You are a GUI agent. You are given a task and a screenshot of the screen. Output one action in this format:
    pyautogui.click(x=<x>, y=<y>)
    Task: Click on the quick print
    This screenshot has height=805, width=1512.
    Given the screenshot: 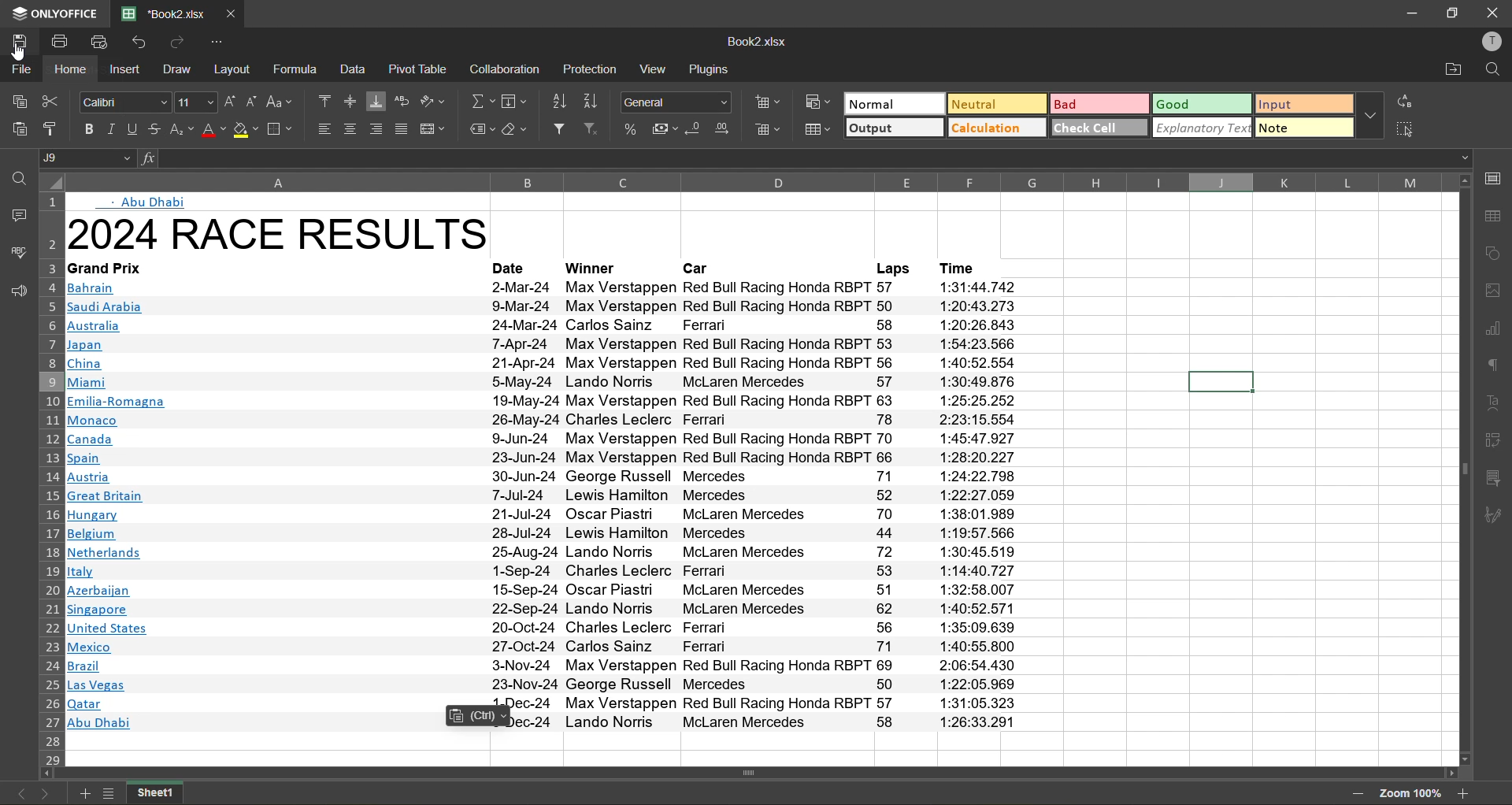 What is the action you would take?
    pyautogui.click(x=101, y=42)
    